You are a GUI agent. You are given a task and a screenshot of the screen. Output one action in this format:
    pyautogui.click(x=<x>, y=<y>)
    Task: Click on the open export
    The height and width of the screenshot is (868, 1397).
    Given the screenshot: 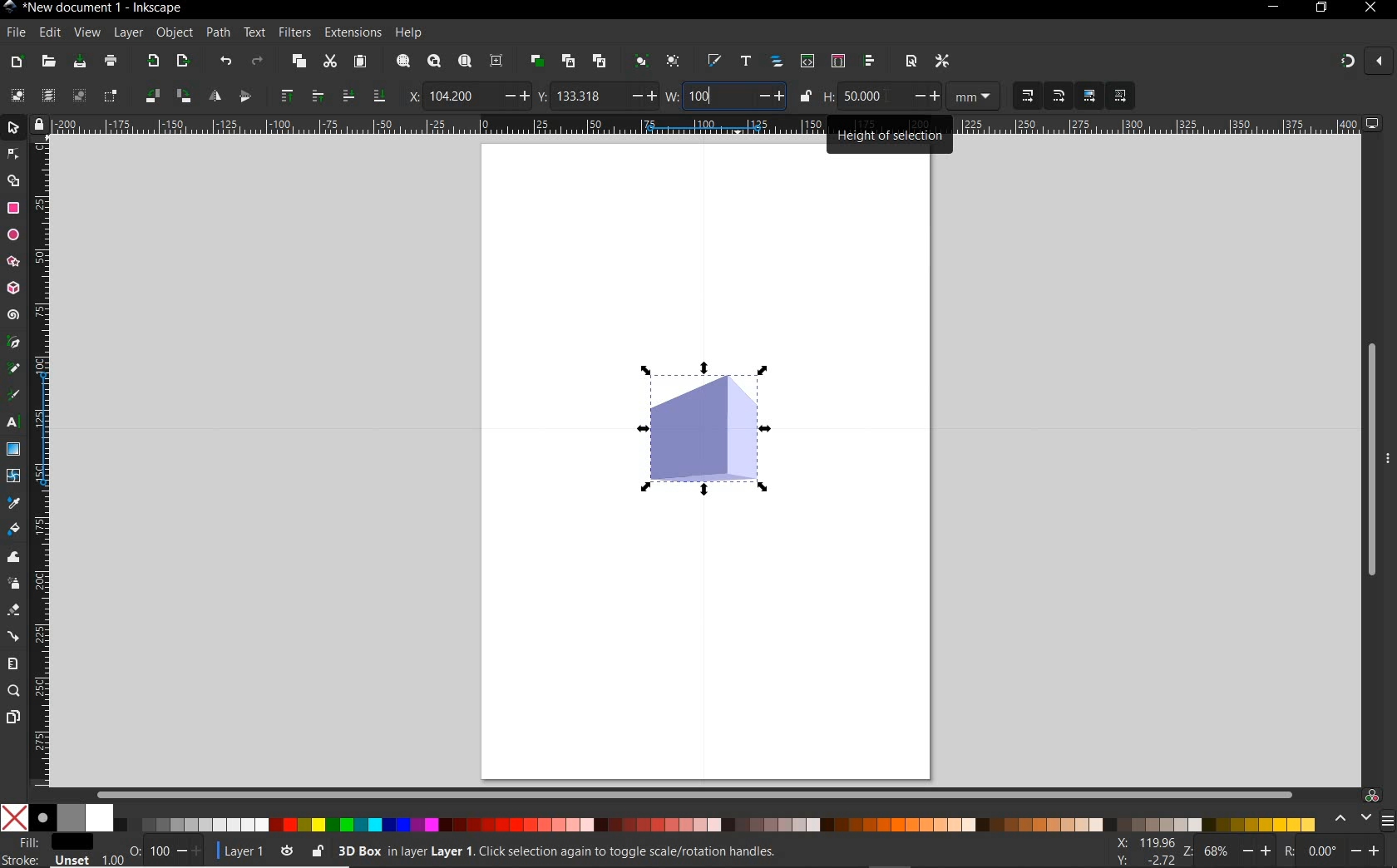 What is the action you would take?
    pyautogui.click(x=182, y=60)
    